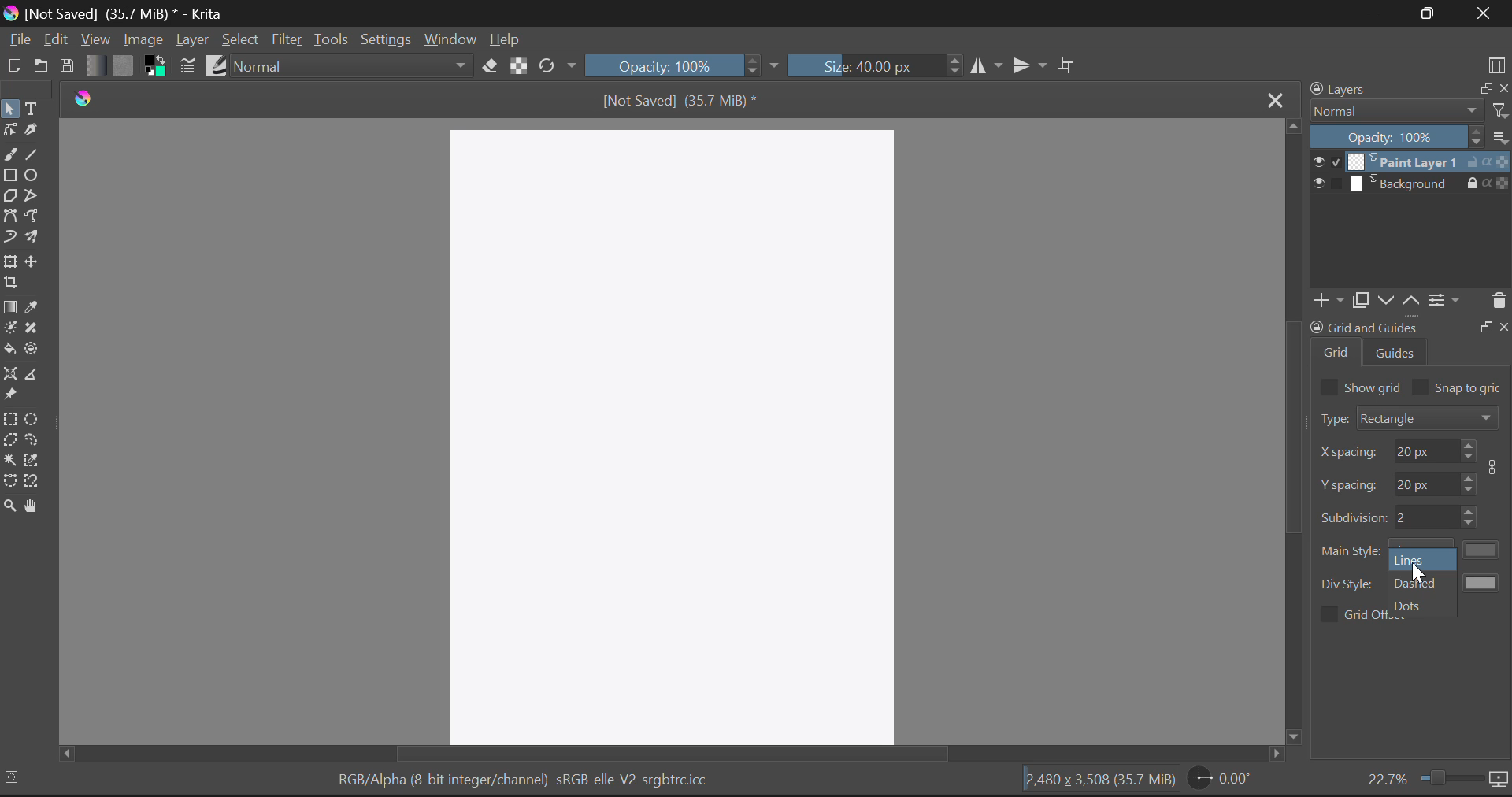  Describe the element at coordinates (1350, 453) in the screenshot. I see `spacing x` at that location.